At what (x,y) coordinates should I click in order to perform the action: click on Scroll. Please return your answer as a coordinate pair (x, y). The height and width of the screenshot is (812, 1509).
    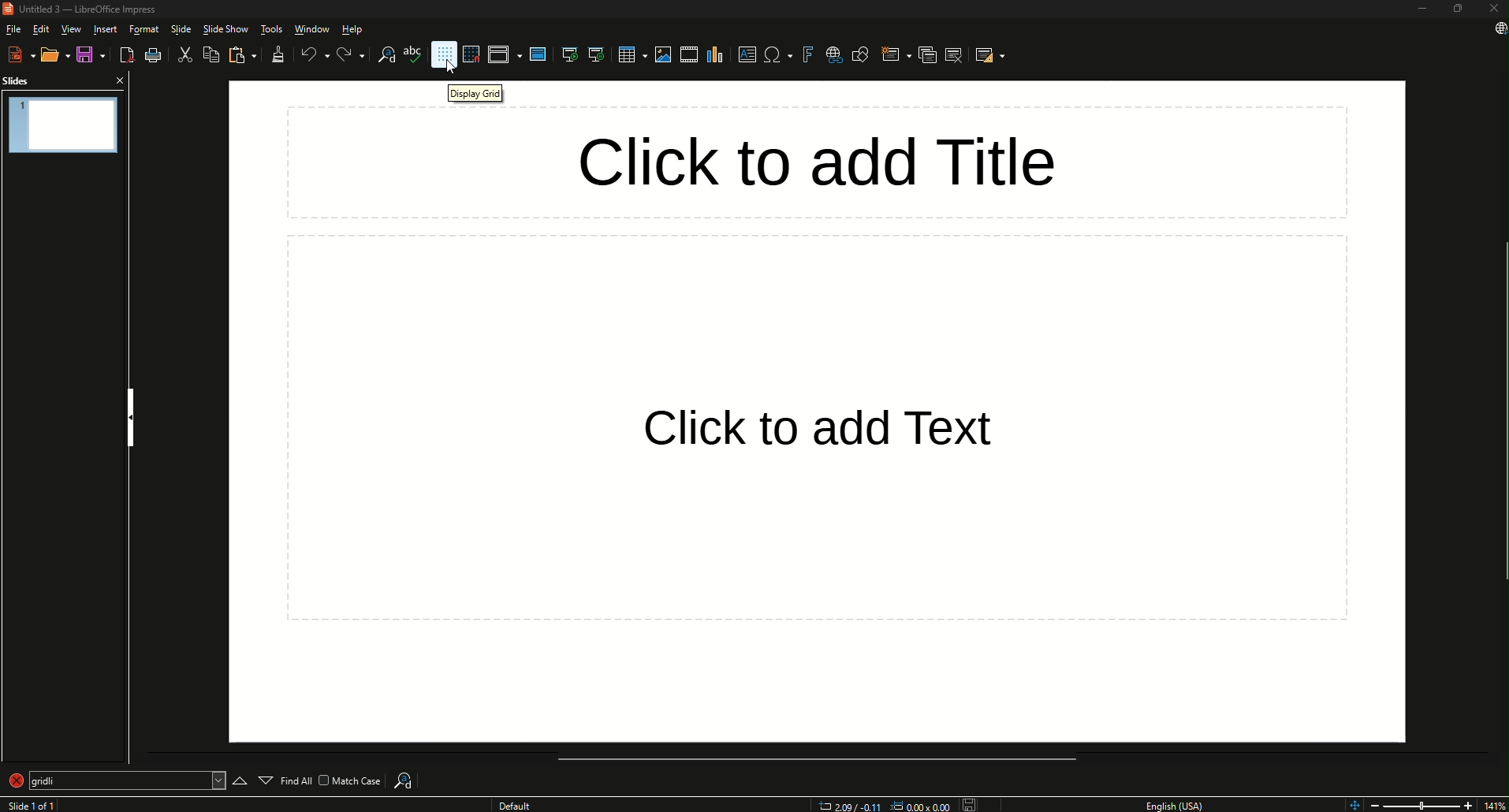
    Looking at the image, I should click on (1500, 412).